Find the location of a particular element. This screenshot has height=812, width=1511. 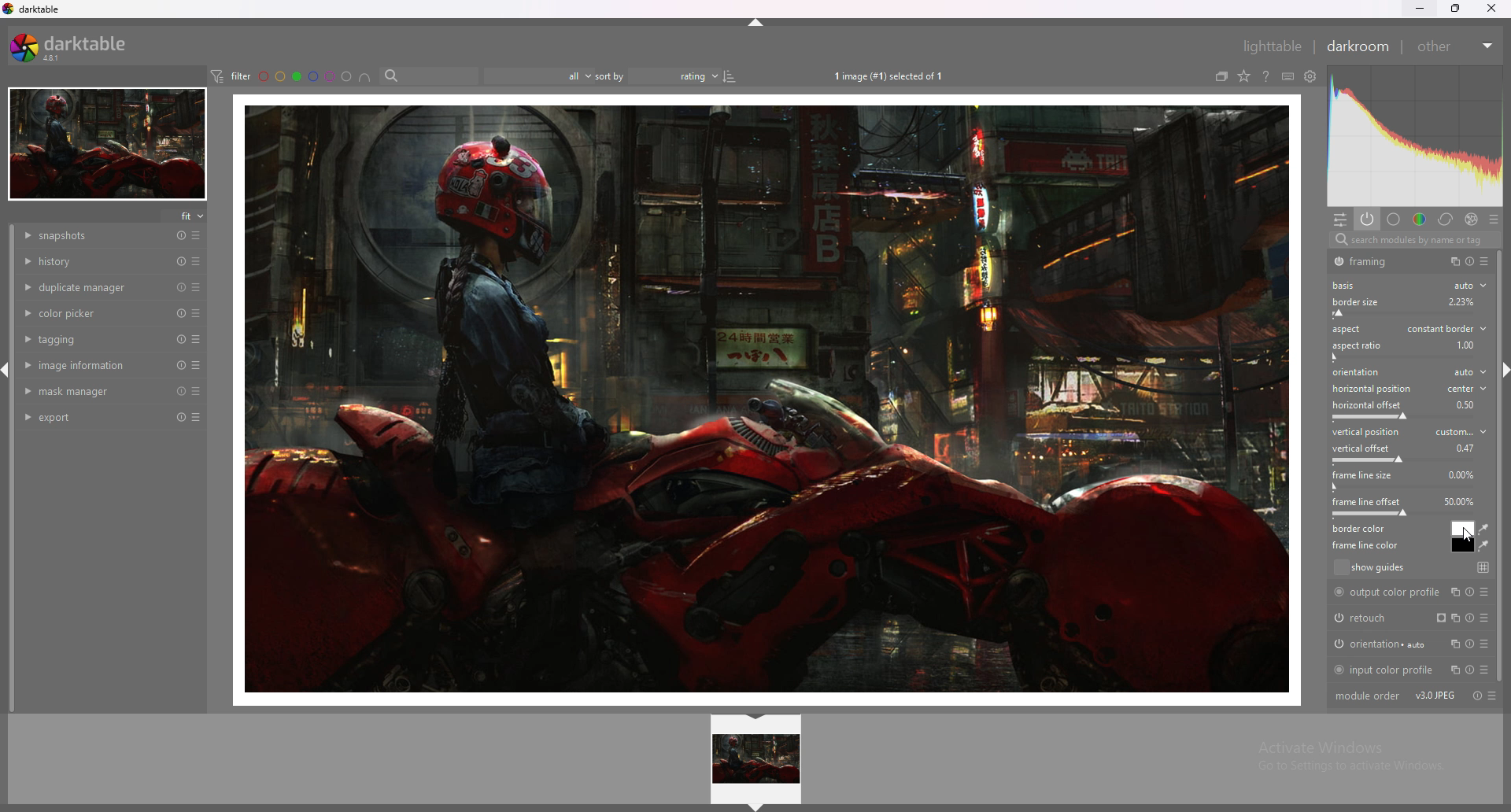

percentage is located at coordinates (1465, 343).